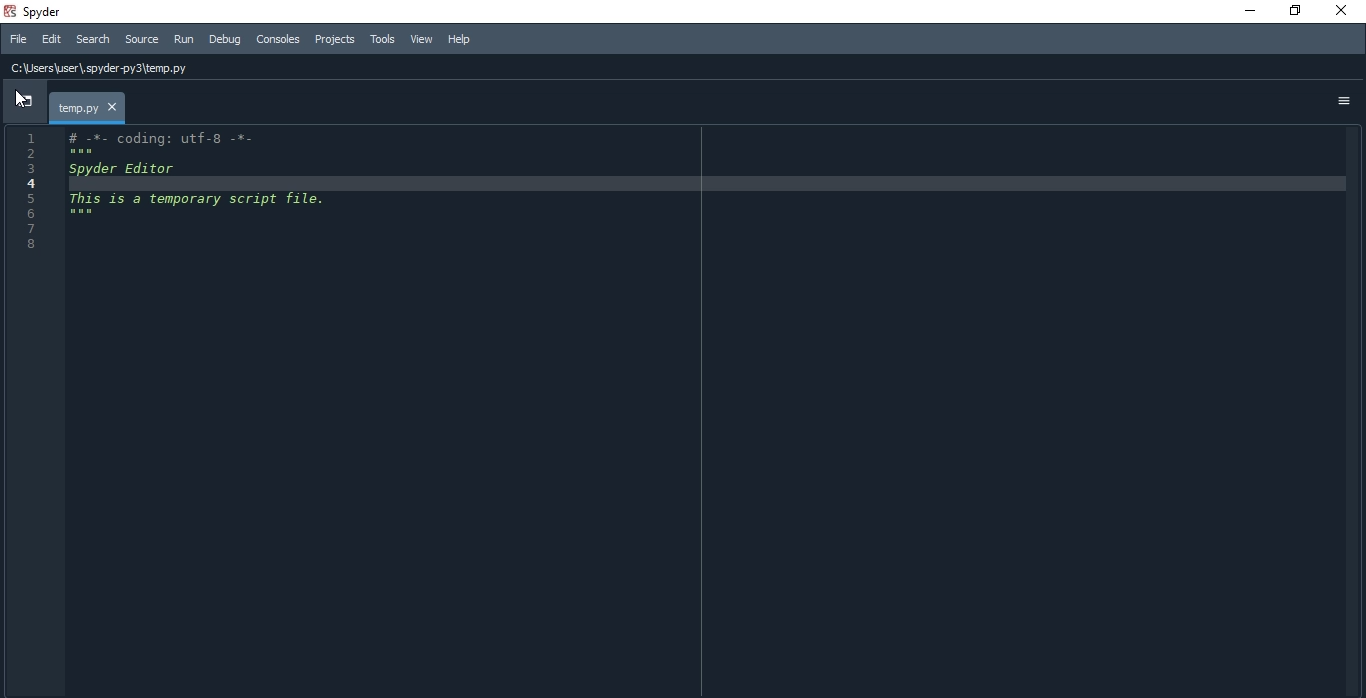 The image size is (1366, 698). What do you see at coordinates (225, 40) in the screenshot?
I see `Debug` at bounding box center [225, 40].